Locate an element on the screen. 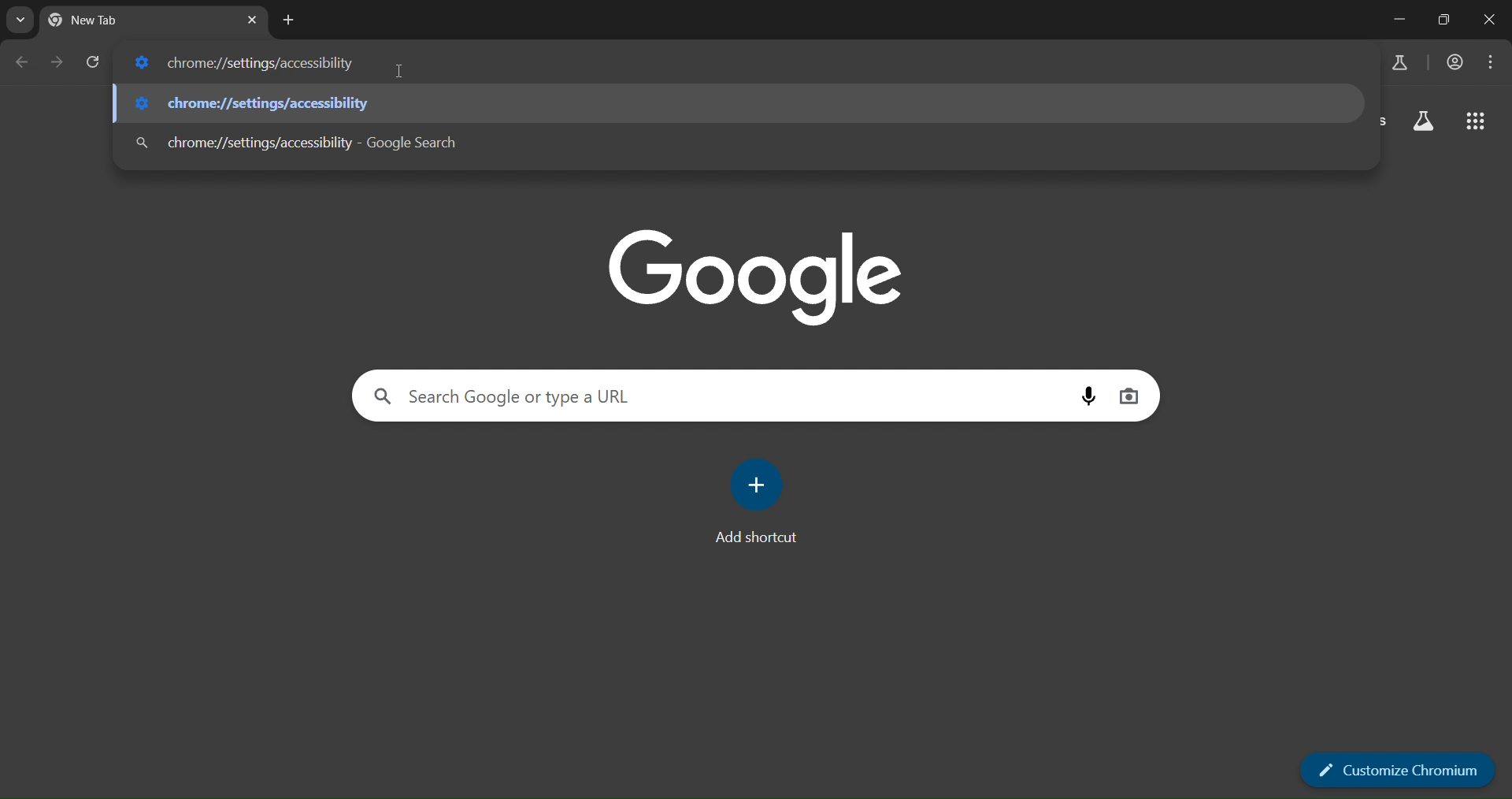 This screenshot has width=1512, height=799. close is located at coordinates (1488, 20).